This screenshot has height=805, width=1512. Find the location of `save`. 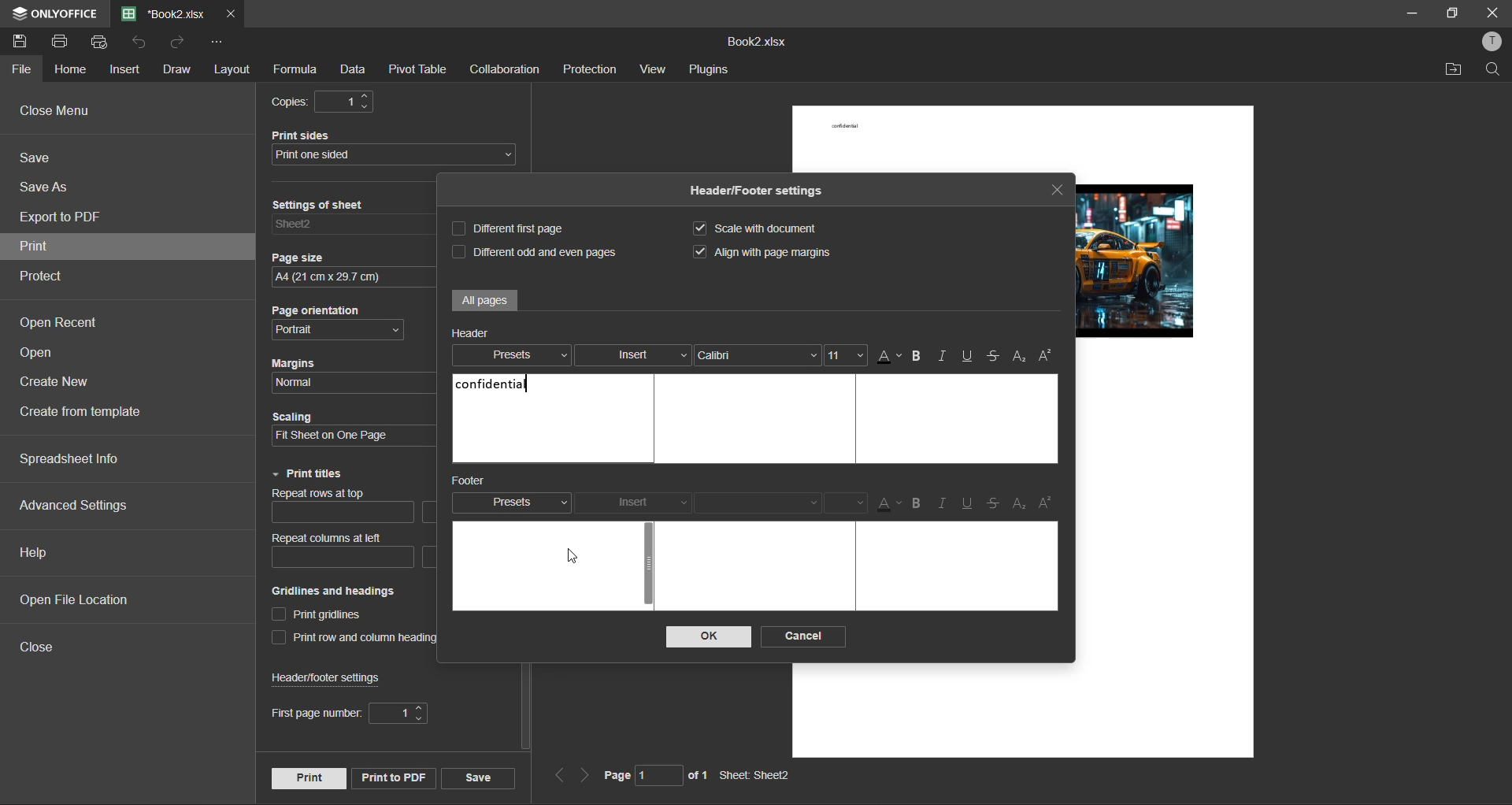

save is located at coordinates (44, 158).